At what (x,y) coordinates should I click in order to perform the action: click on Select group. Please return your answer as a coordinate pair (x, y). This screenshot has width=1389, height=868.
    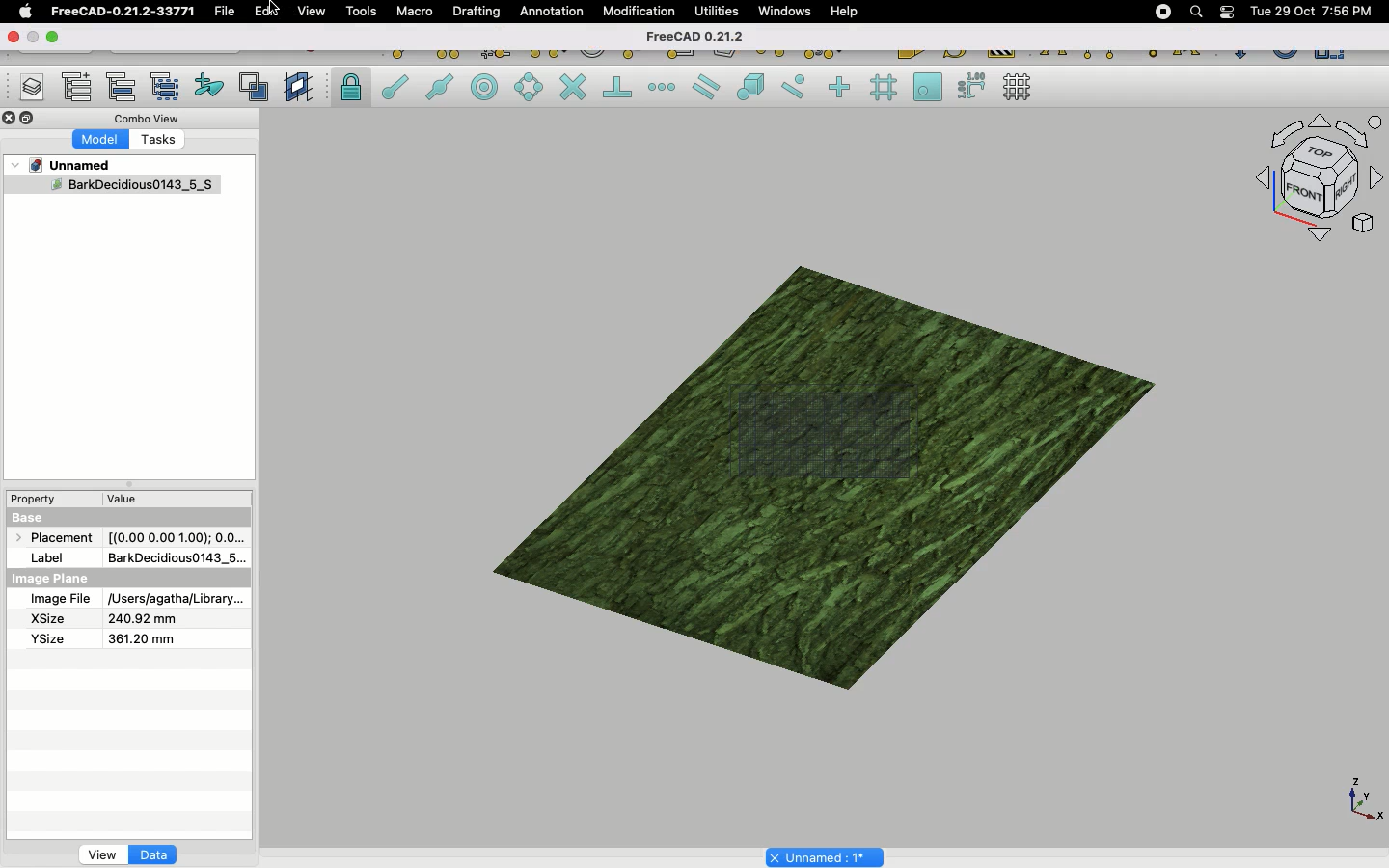
    Looking at the image, I should click on (167, 85).